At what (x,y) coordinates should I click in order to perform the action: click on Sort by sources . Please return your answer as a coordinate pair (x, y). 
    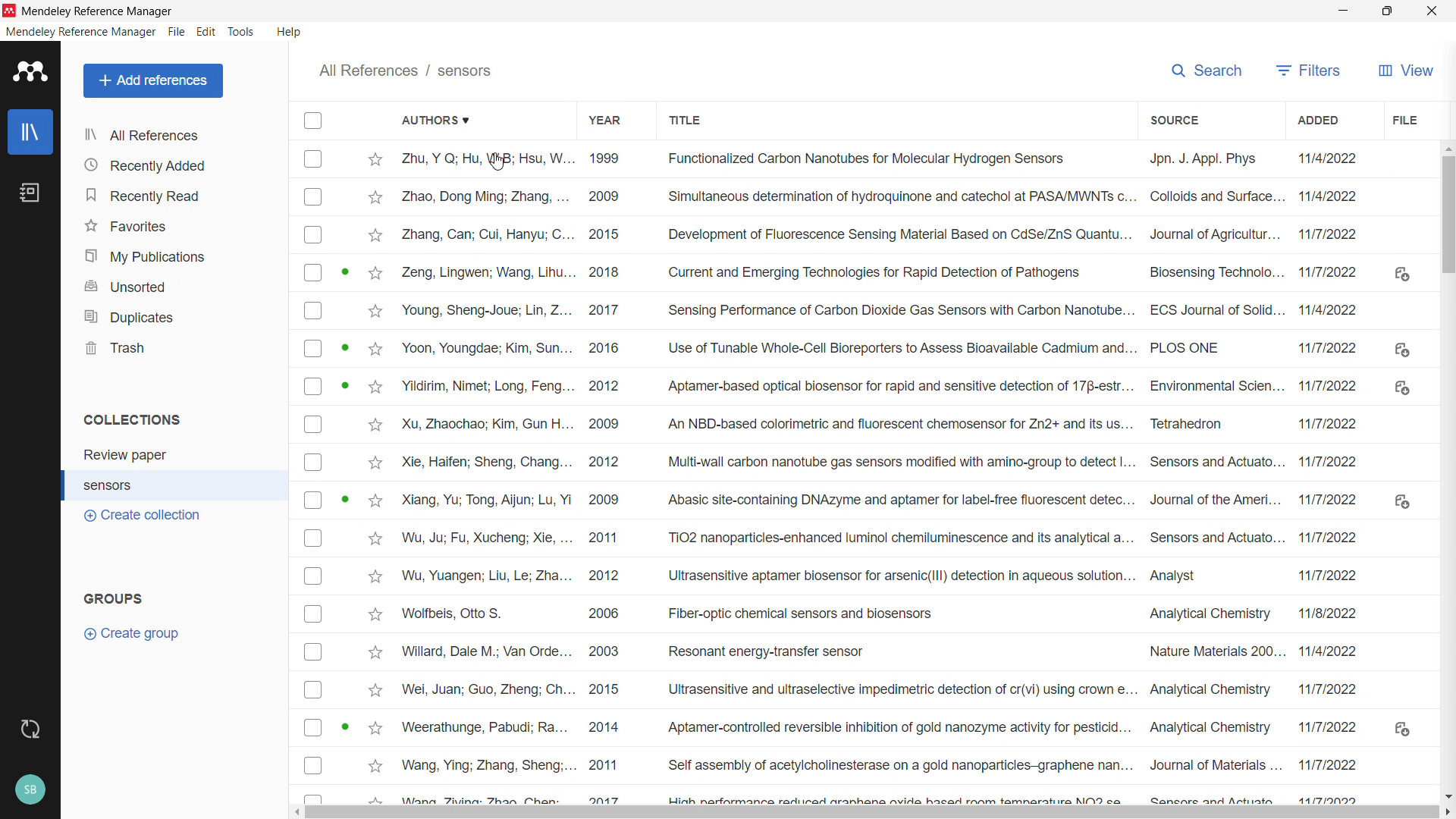
    Looking at the image, I should click on (1172, 119).